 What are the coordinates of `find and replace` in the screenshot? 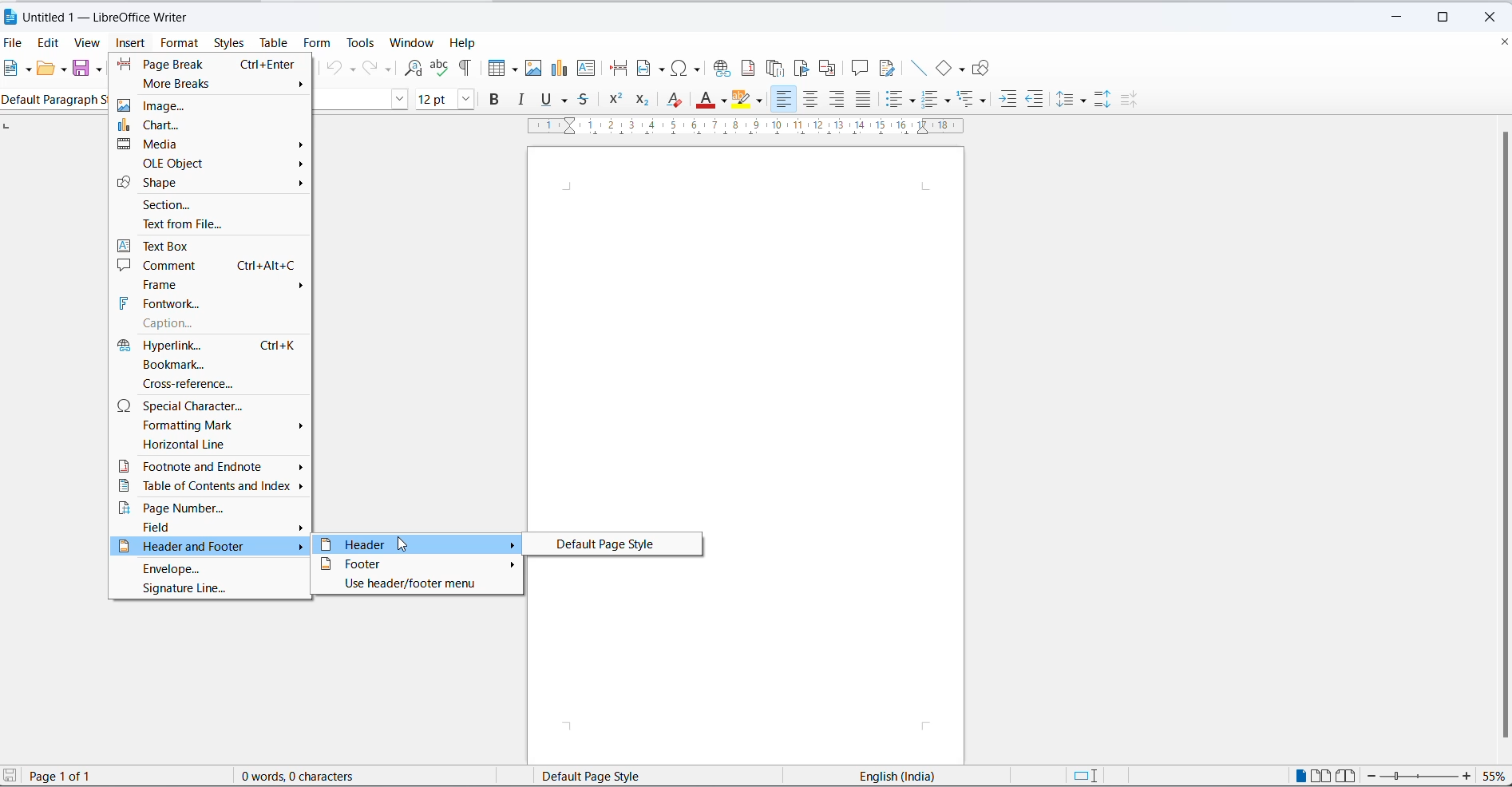 It's located at (414, 66).